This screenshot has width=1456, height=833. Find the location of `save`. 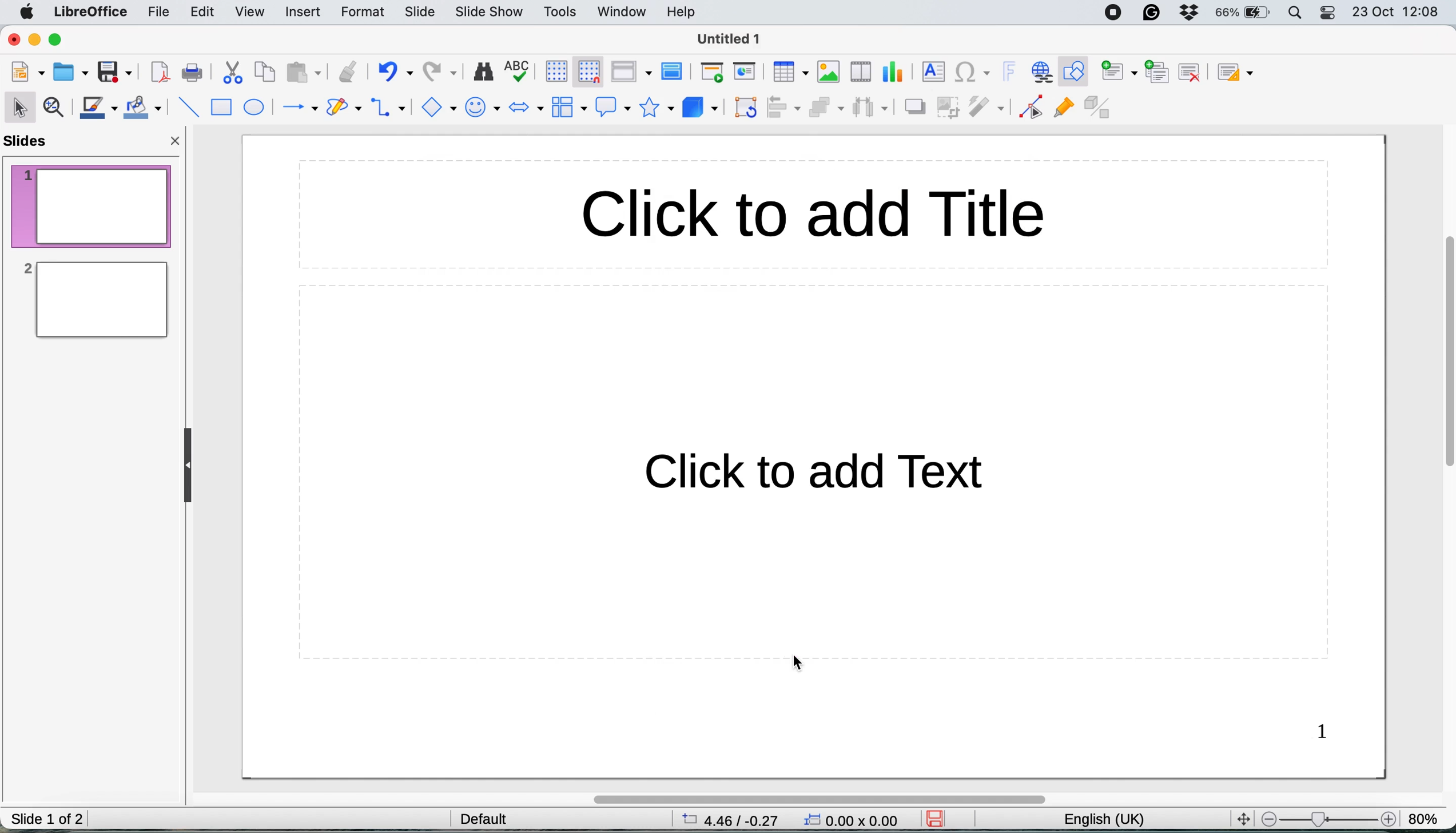

save is located at coordinates (115, 72).